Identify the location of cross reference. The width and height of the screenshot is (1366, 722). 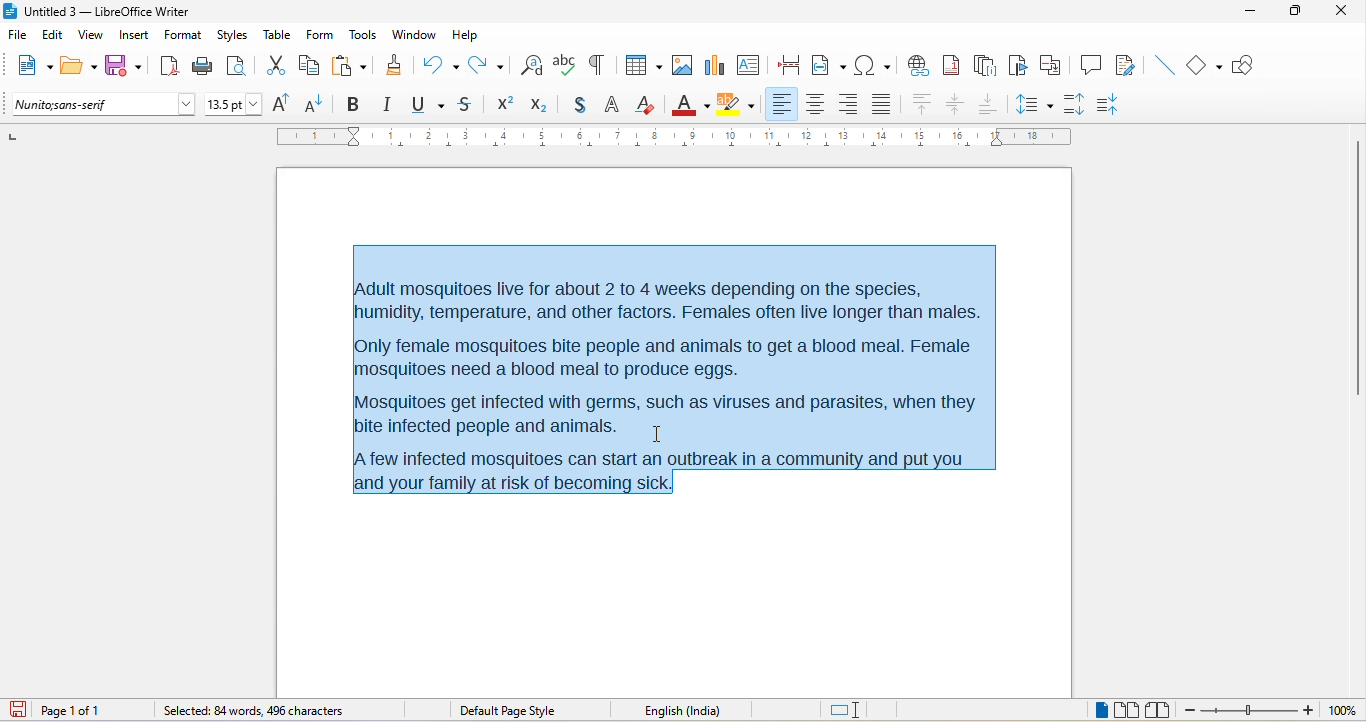
(1055, 65).